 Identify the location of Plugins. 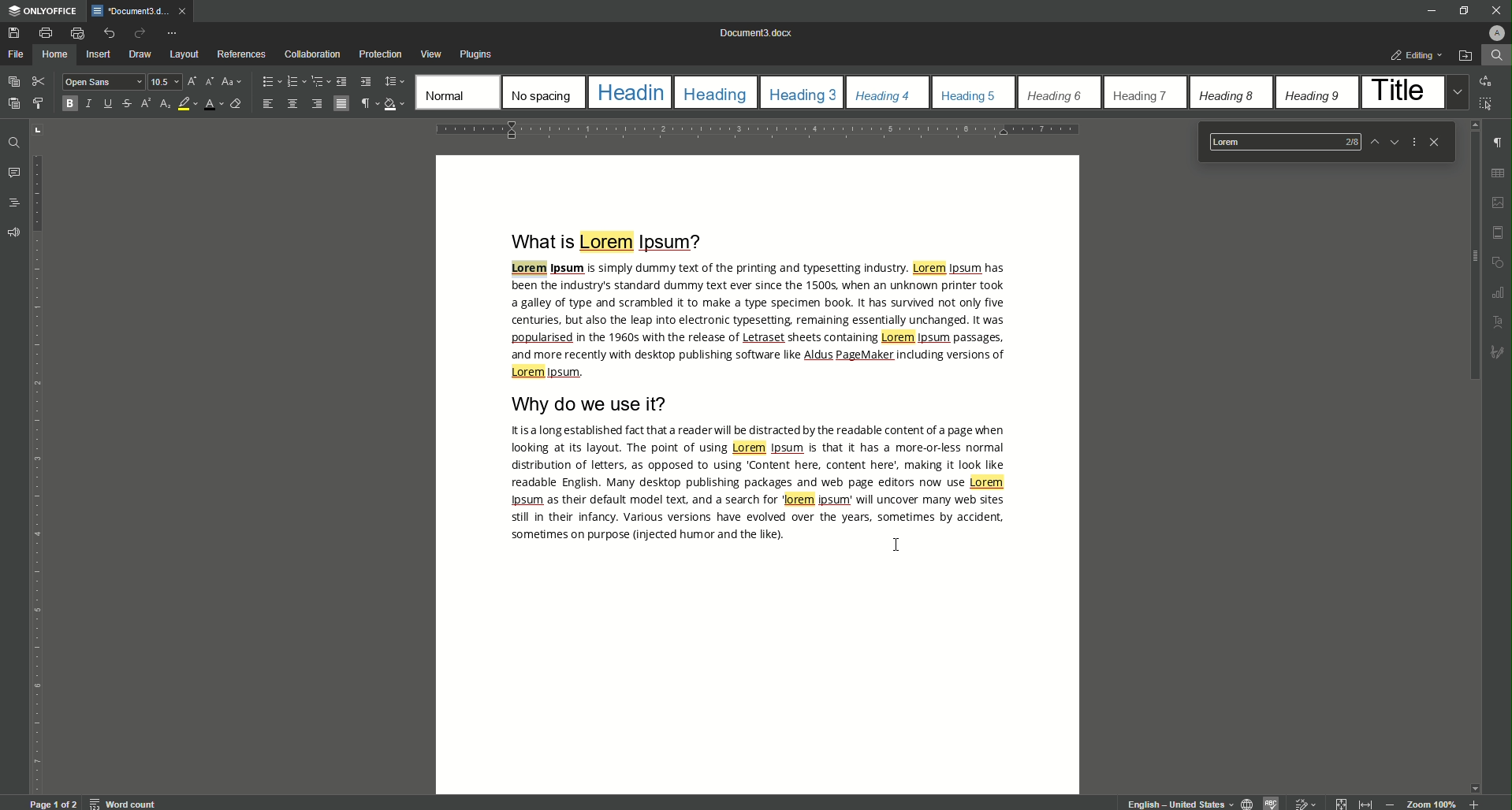
(478, 53).